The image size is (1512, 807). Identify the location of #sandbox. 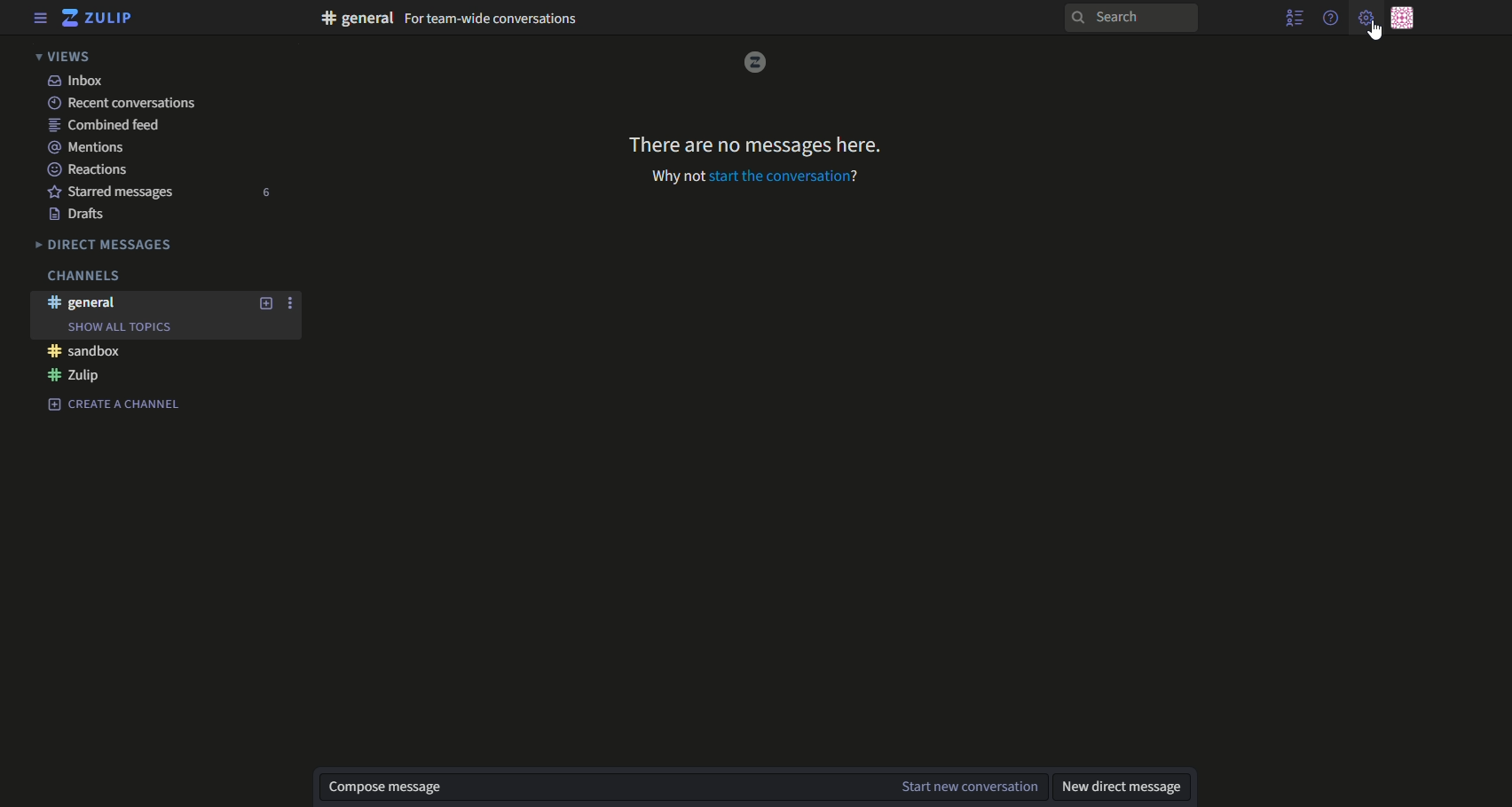
(86, 351).